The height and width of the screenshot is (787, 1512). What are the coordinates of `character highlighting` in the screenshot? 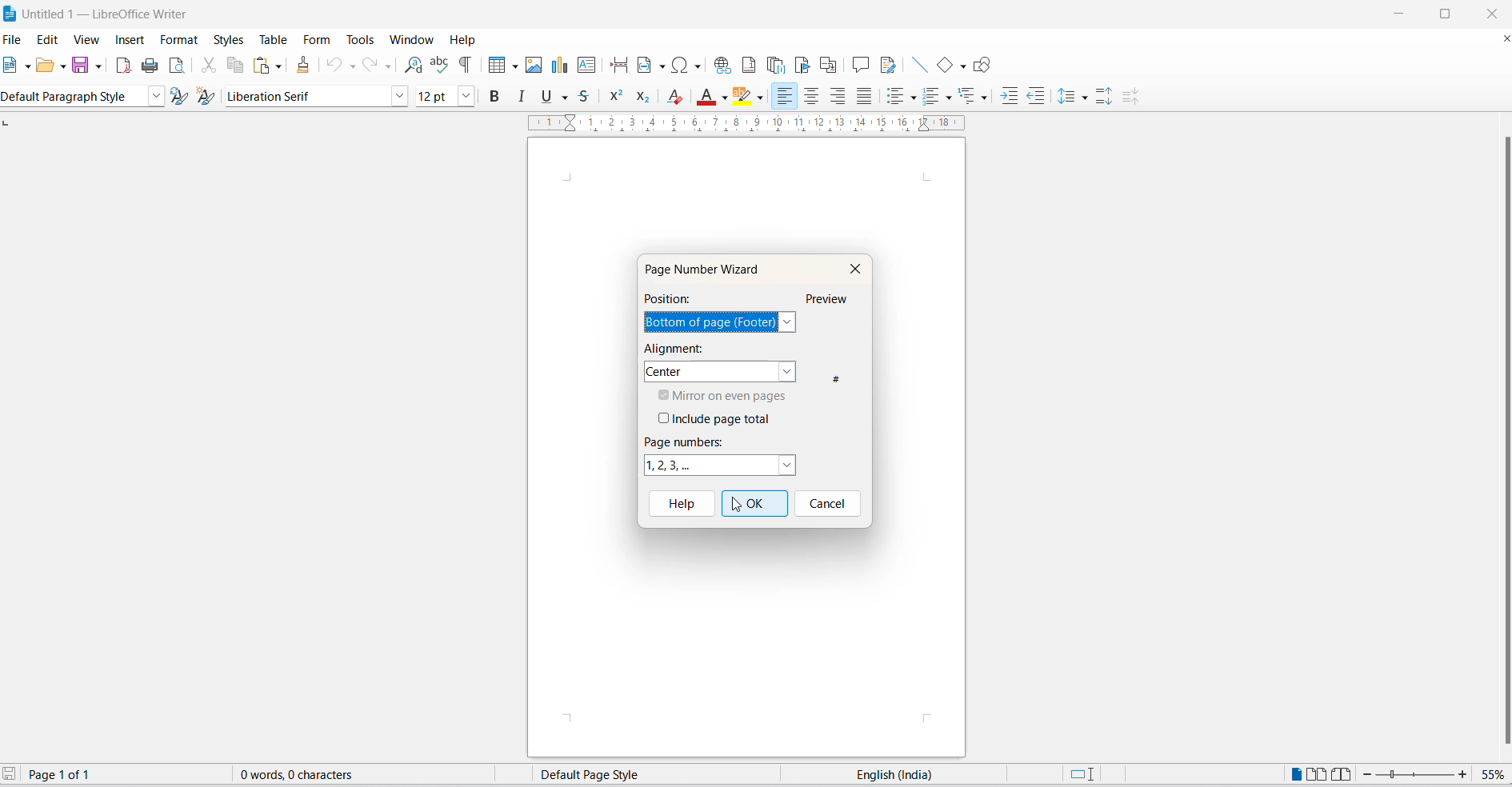 It's located at (744, 98).